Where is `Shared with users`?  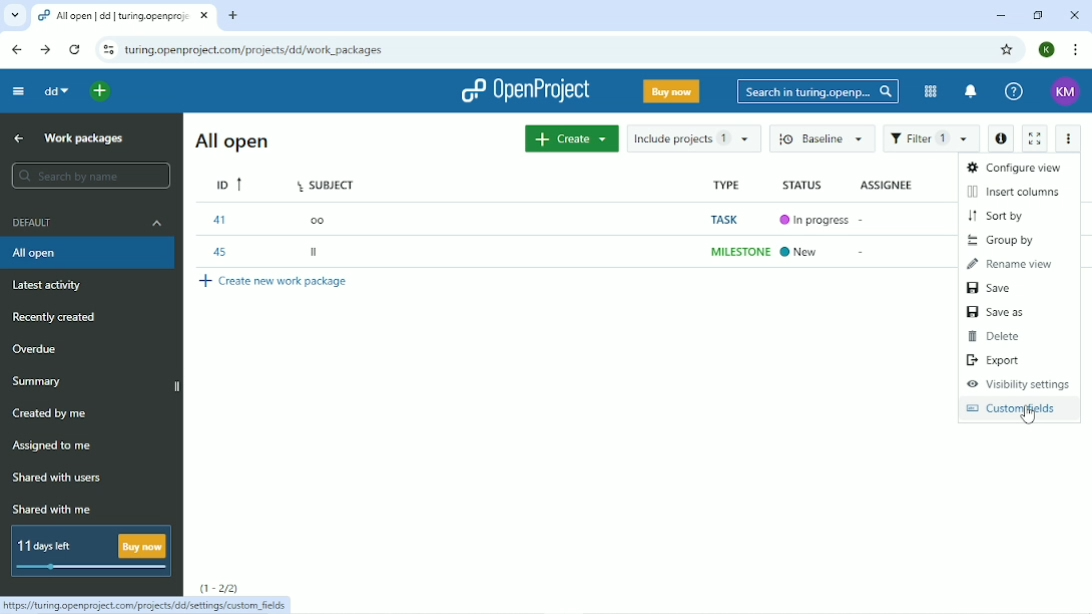
Shared with users is located at coordinates (56, 480).